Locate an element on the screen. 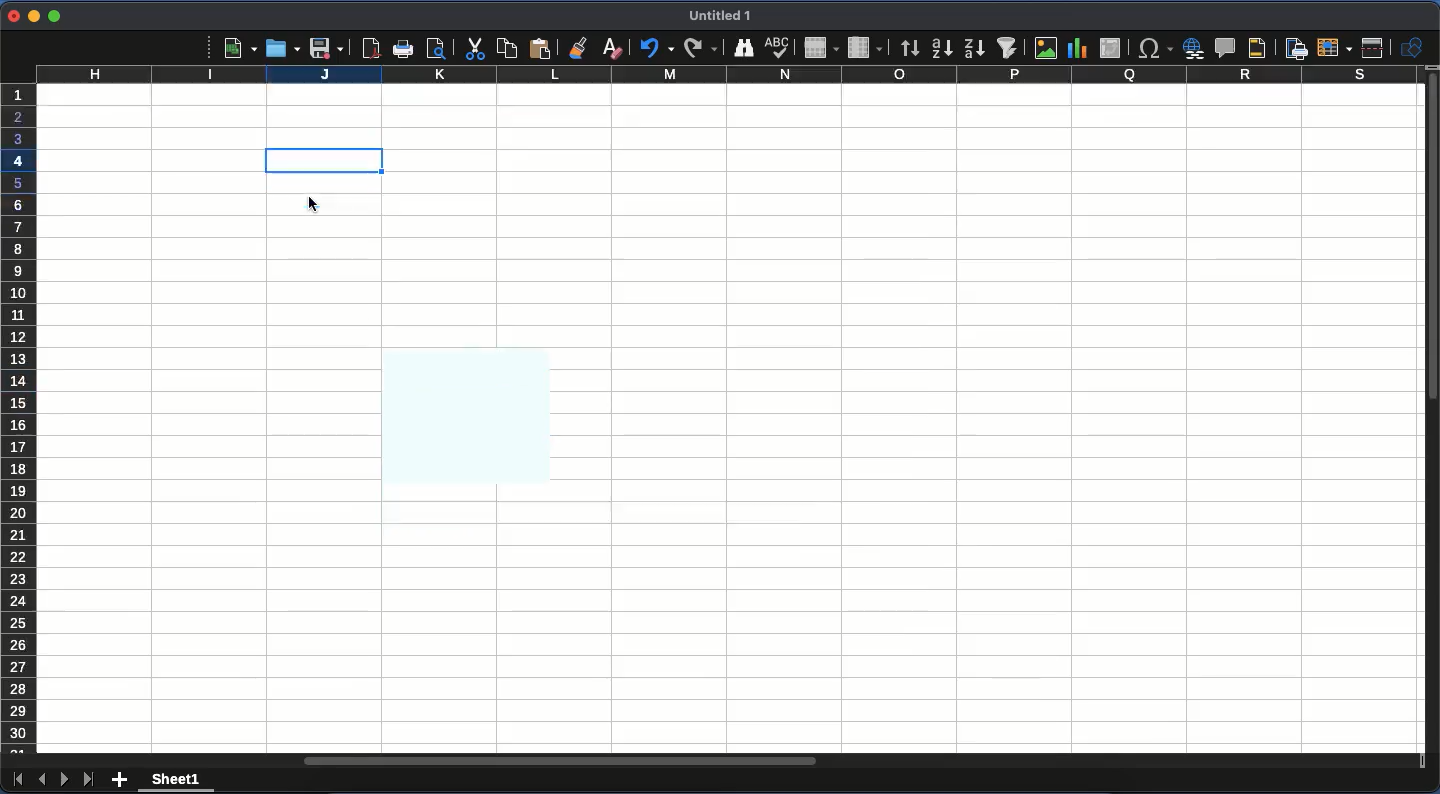 The width and height of the screenshot is (1440, 794). freeze rows and columns is located at coordinates (1334, 47).